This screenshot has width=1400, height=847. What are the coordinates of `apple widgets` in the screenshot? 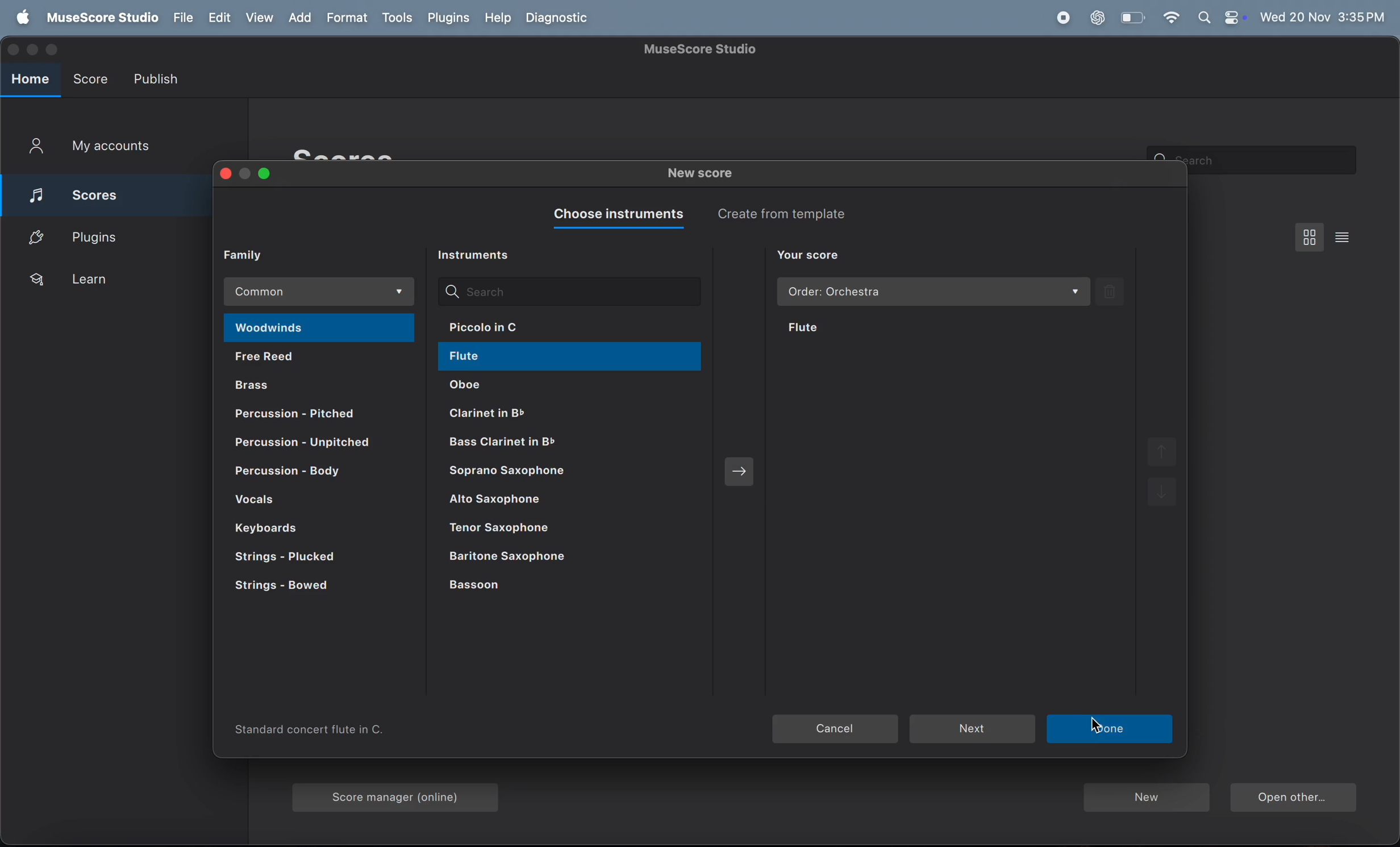 It's located at (1221, 18).